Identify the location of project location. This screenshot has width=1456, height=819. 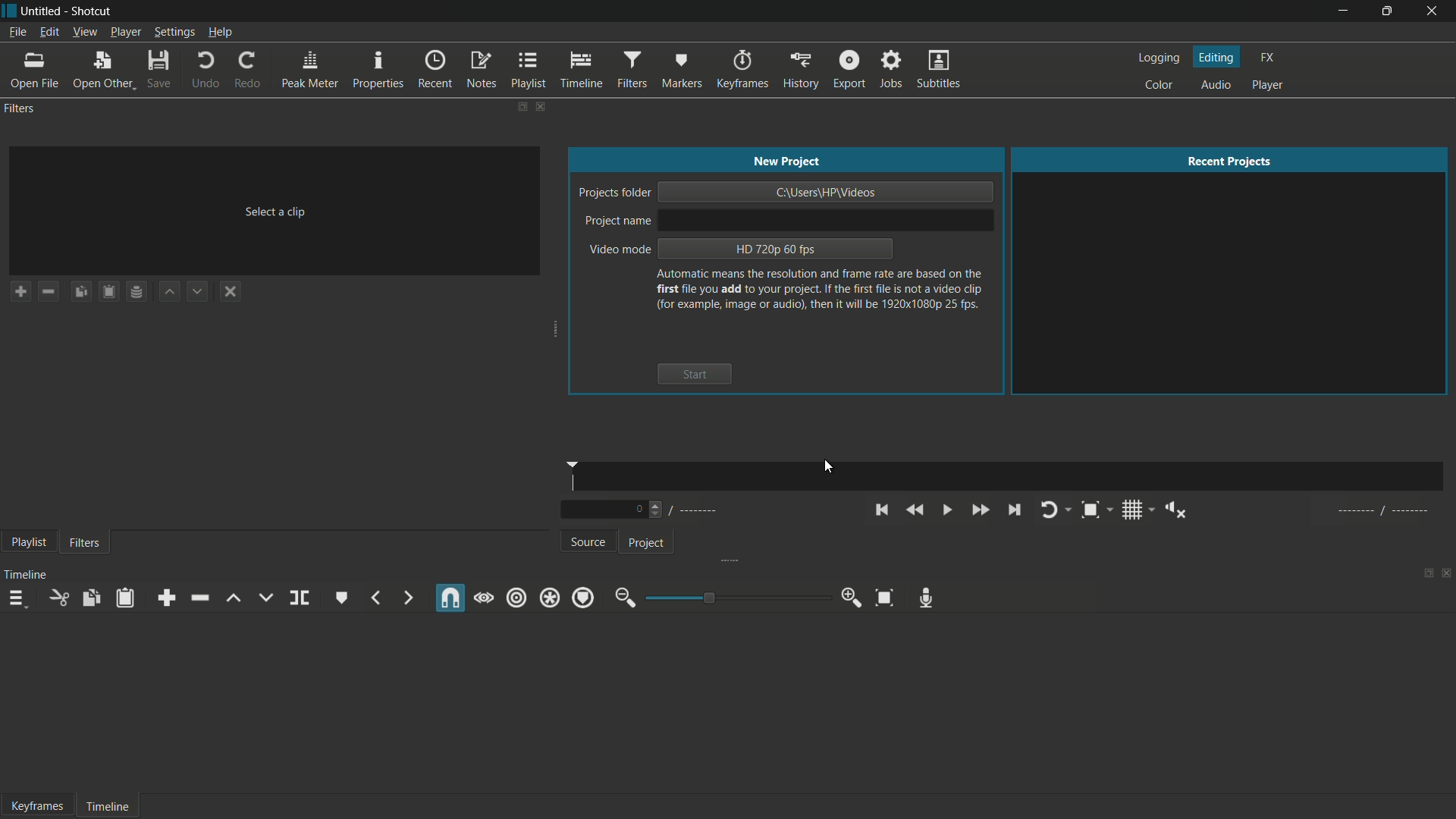
(827, 192).